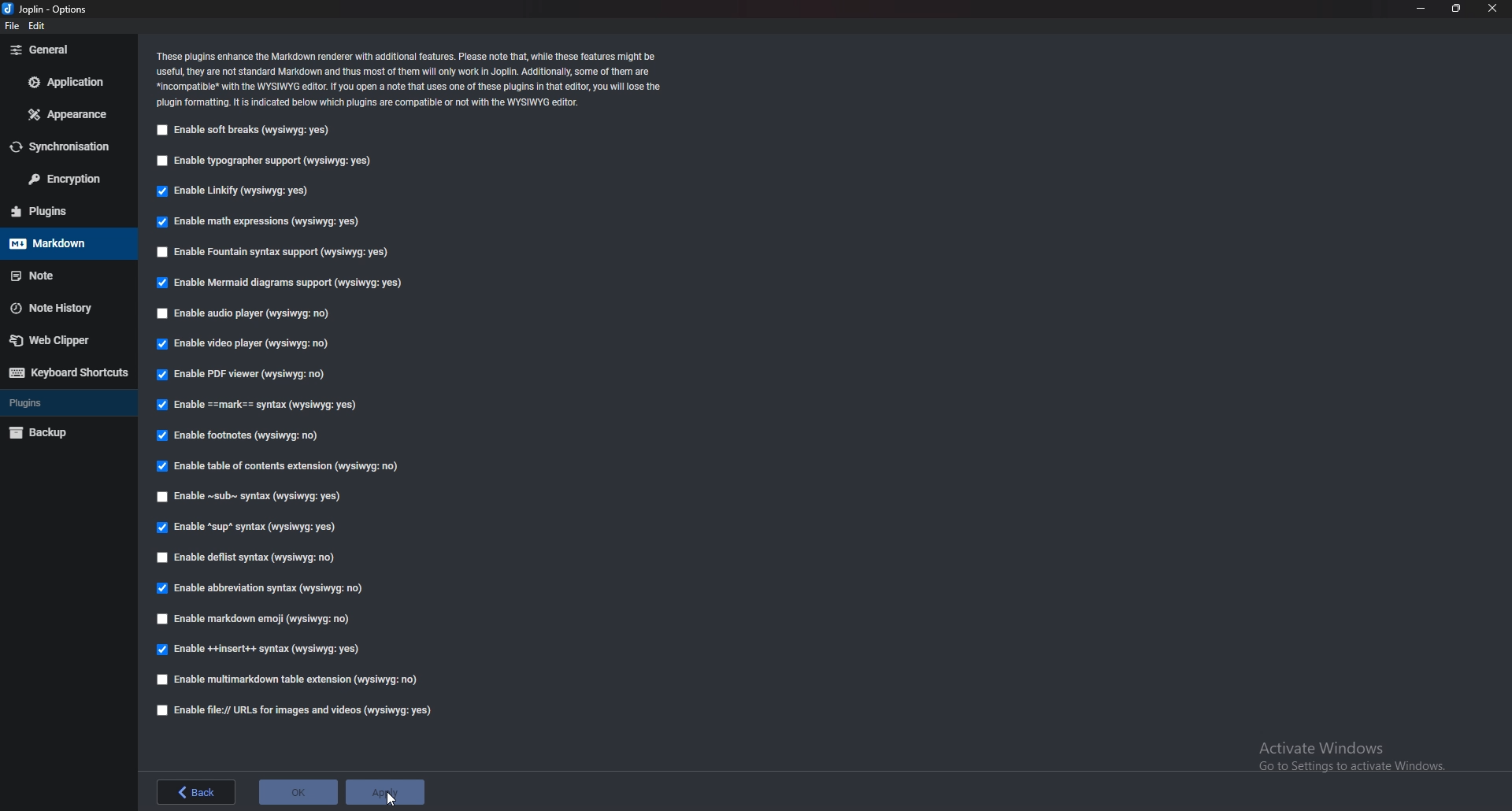  What do you see at coordinates (1455, 9) in the screenshot?
I see `resize` at bounding box center [1455, 9].